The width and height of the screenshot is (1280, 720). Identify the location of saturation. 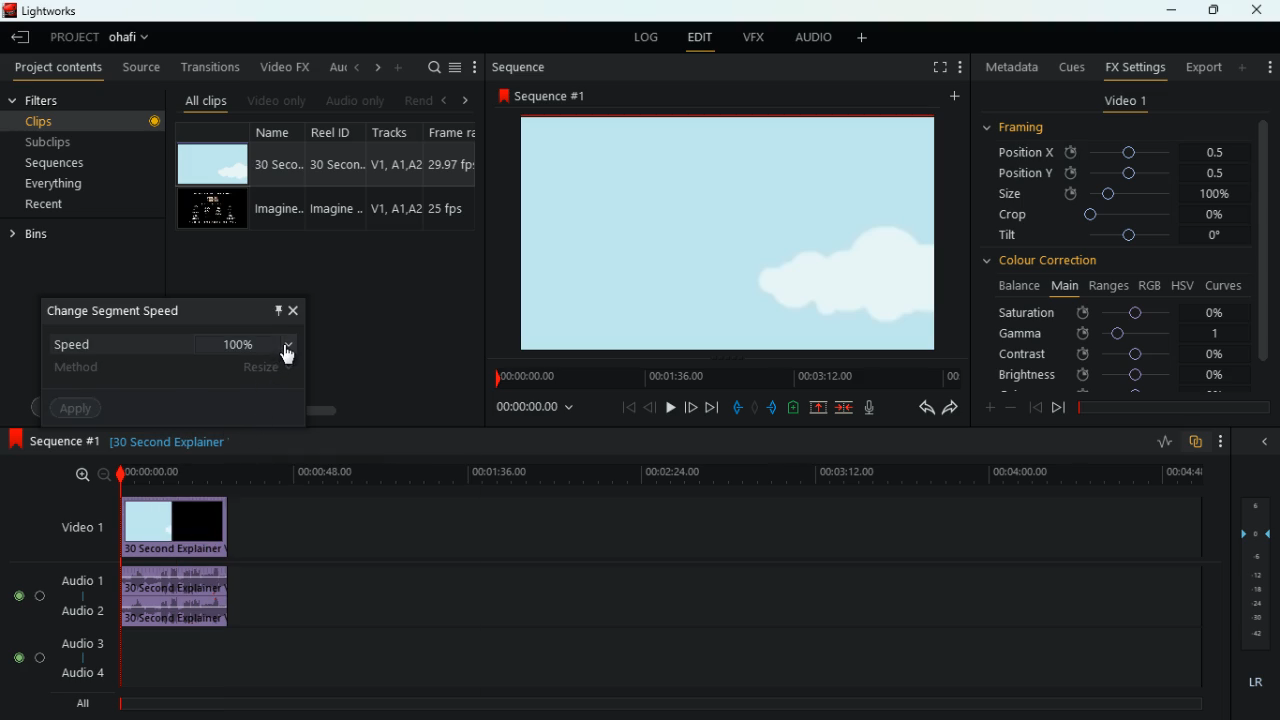
(1116, 311).